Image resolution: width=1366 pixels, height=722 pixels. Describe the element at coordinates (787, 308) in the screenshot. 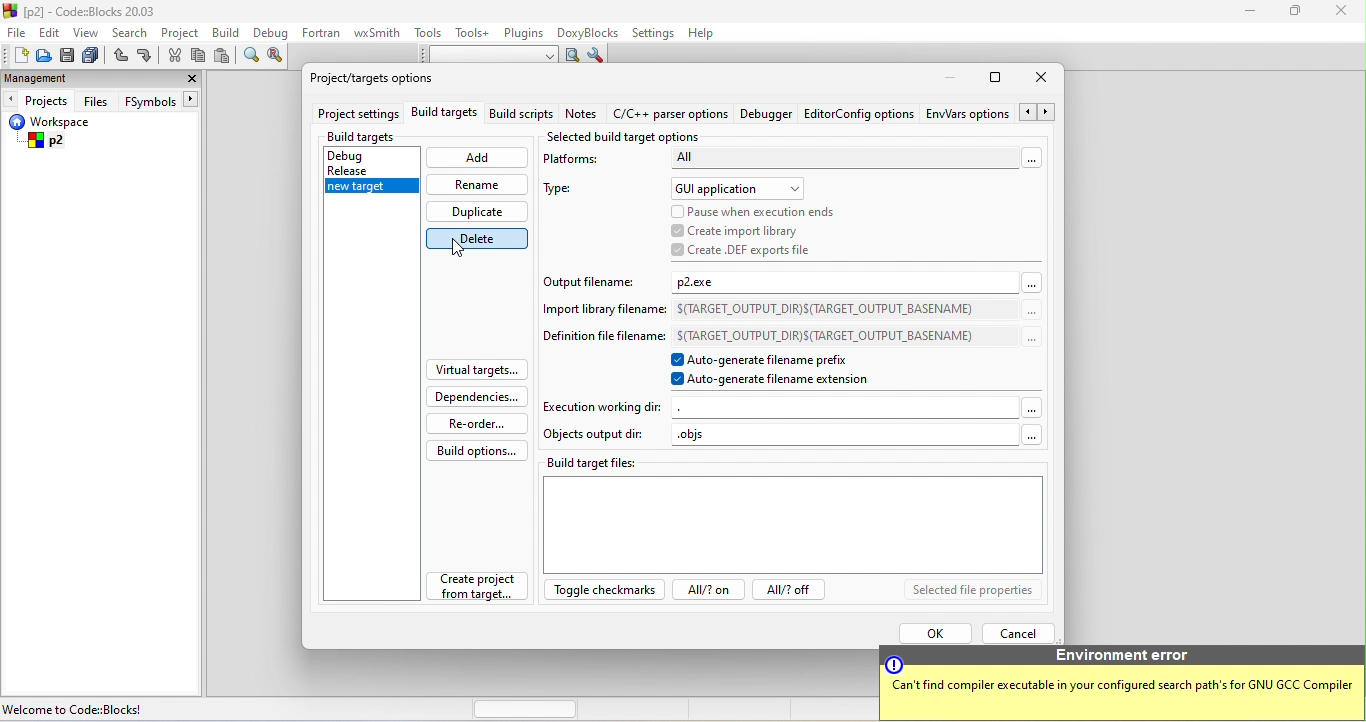

I see `Import library filename: S(TARGET_OUTPUT_DIR)S(TARGET_OUTPUT_BASENAME)` at that location.